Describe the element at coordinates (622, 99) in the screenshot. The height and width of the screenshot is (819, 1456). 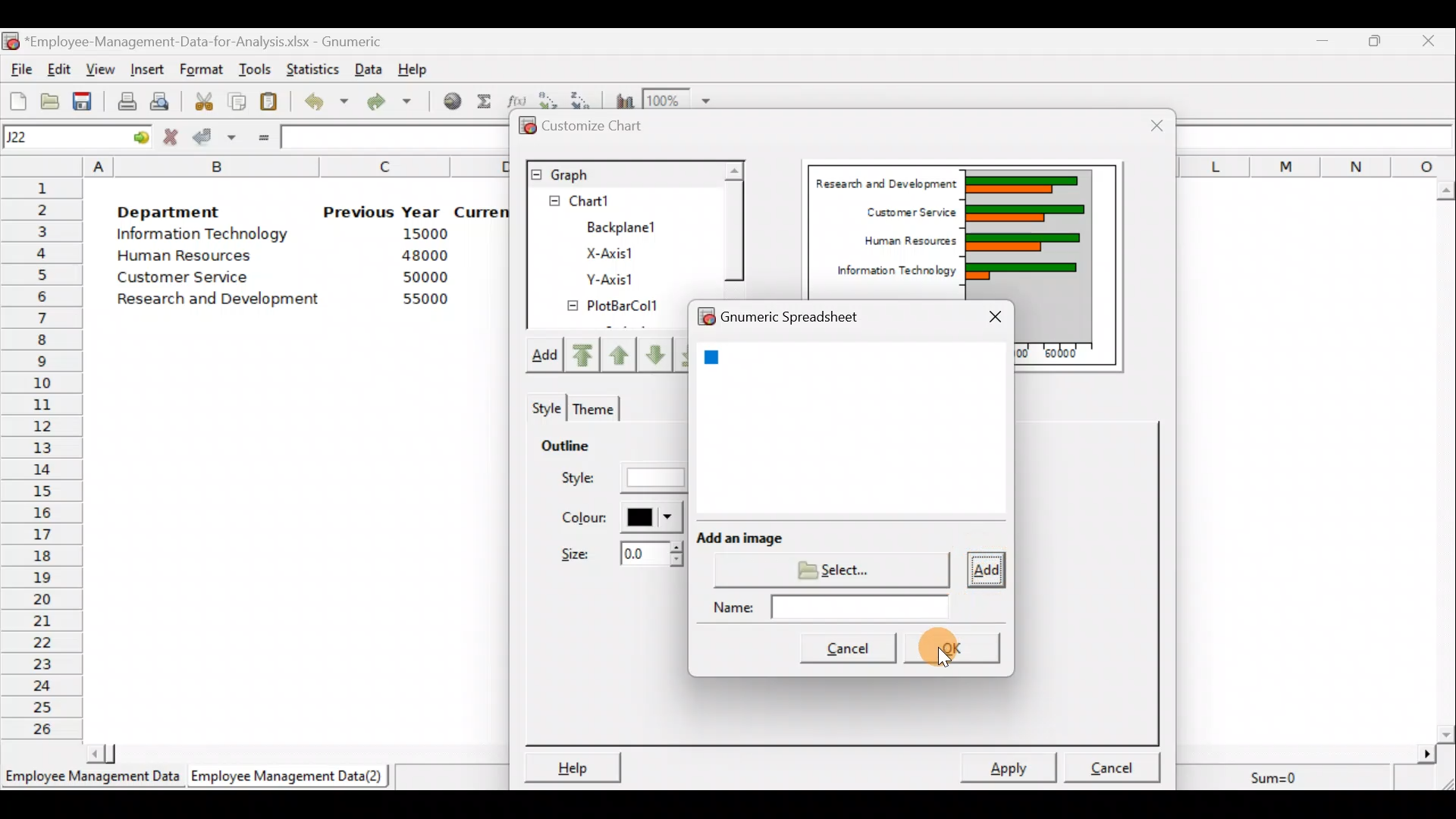
I see `Insert a chart` at that location.